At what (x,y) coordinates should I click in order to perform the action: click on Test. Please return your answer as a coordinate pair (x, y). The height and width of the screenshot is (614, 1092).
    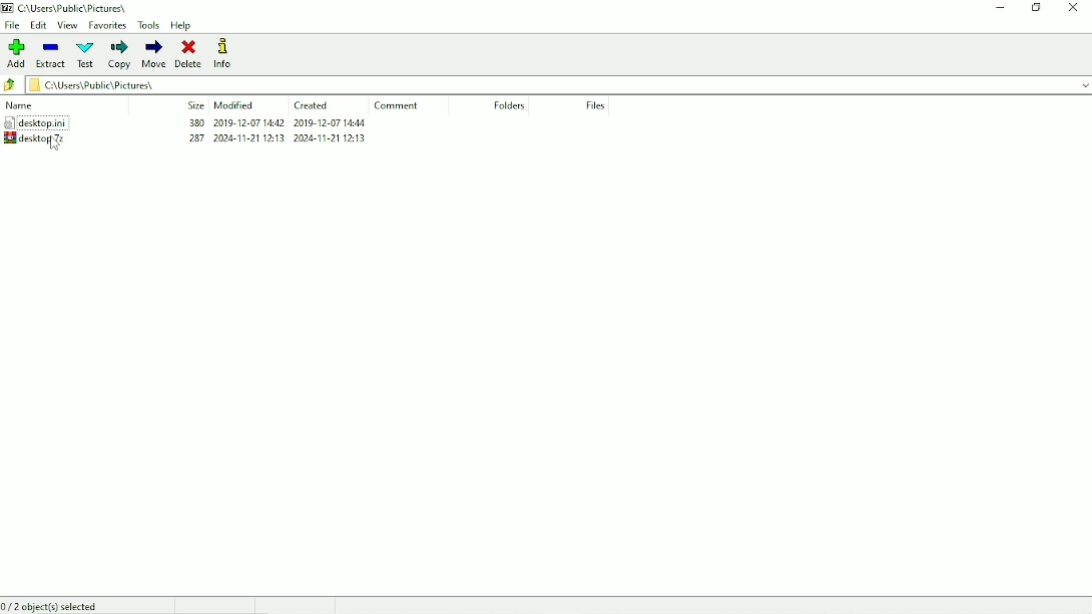
    Looking at the image, I should click on (86, 55).